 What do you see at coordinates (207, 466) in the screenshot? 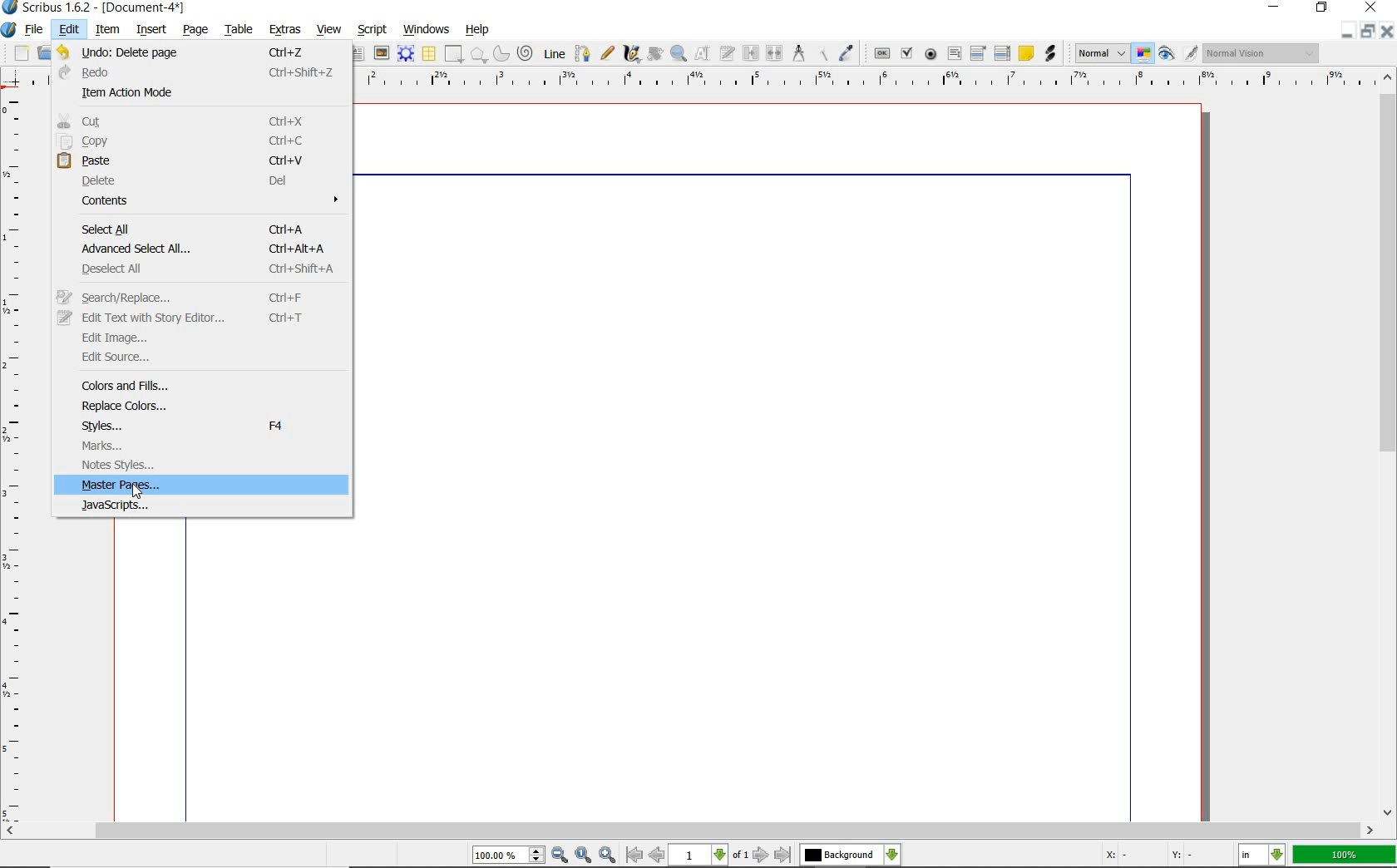
I see `notes styles` at bounding box center [207, 466].